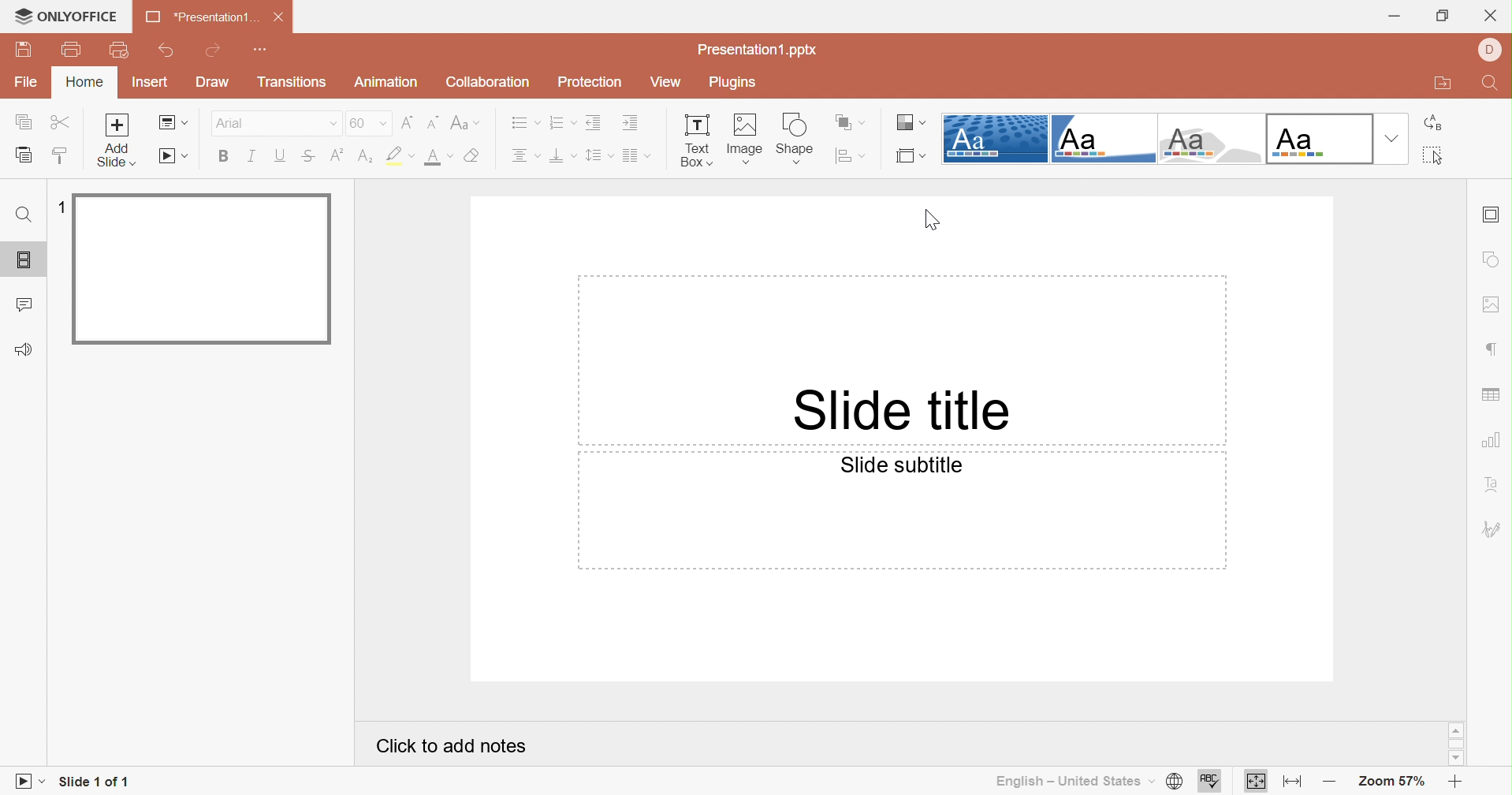 Image resolution: width=1512 pixels, height=795 pixels. Describe the element at coordinates (1444, 17) in the screenshot. I see `Restore down` at that location.